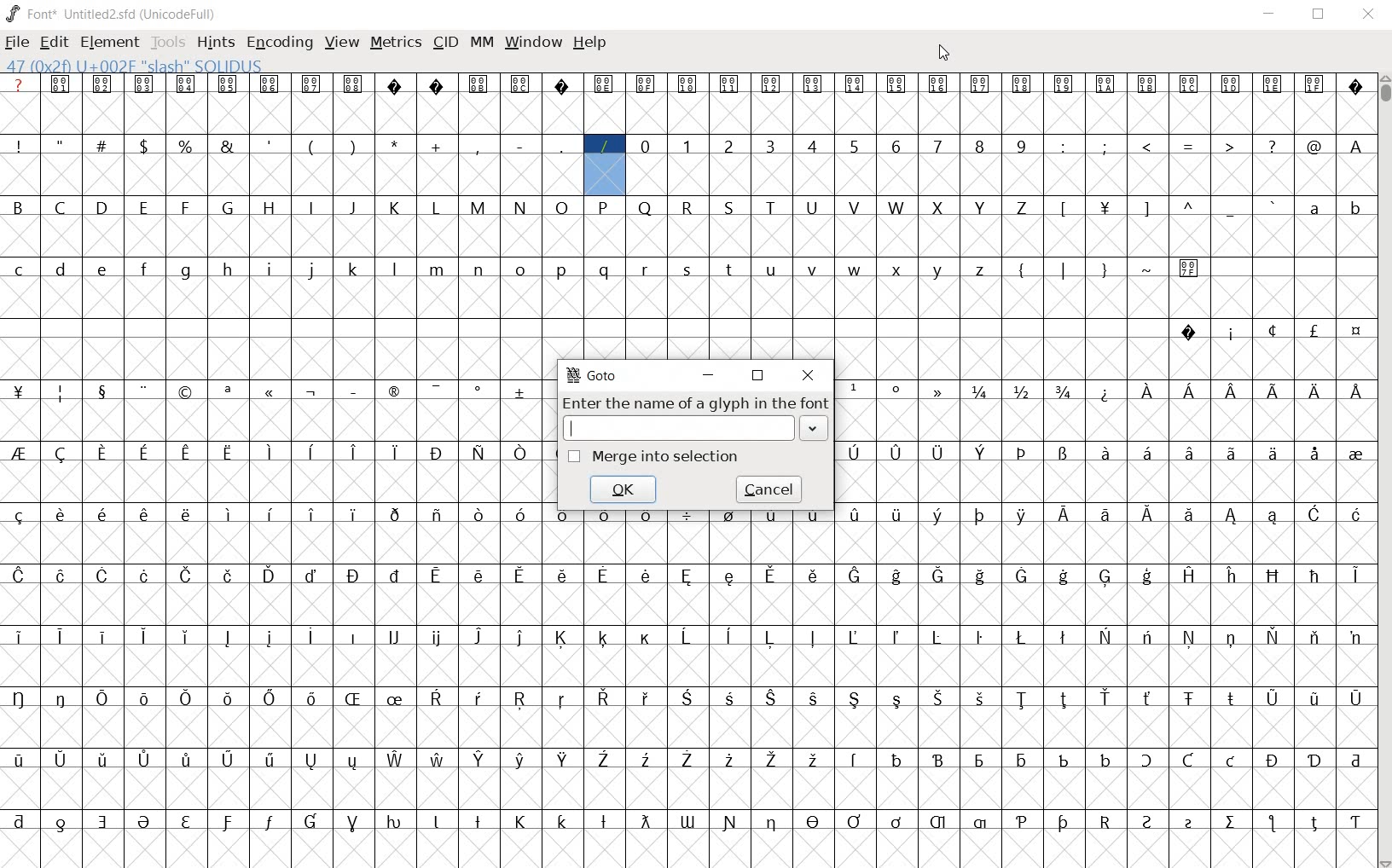  Describe the element at coordinates (769, 575) in the screenshot. I see `glyph` at that location.